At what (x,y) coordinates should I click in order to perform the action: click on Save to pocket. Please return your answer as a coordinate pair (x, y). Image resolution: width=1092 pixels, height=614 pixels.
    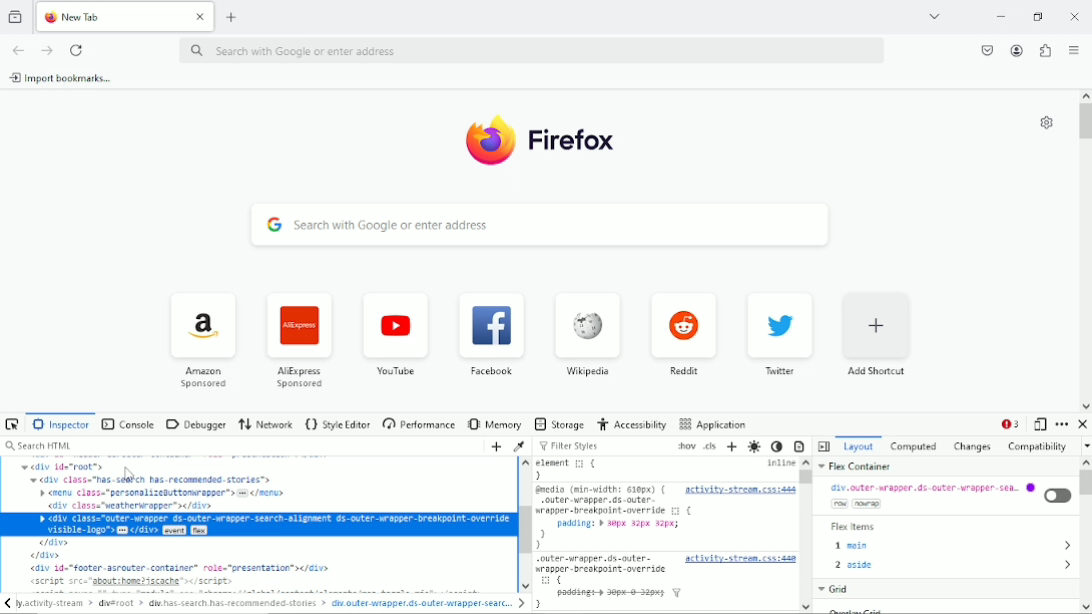
    Looking at the image, I should click on (984, 50).